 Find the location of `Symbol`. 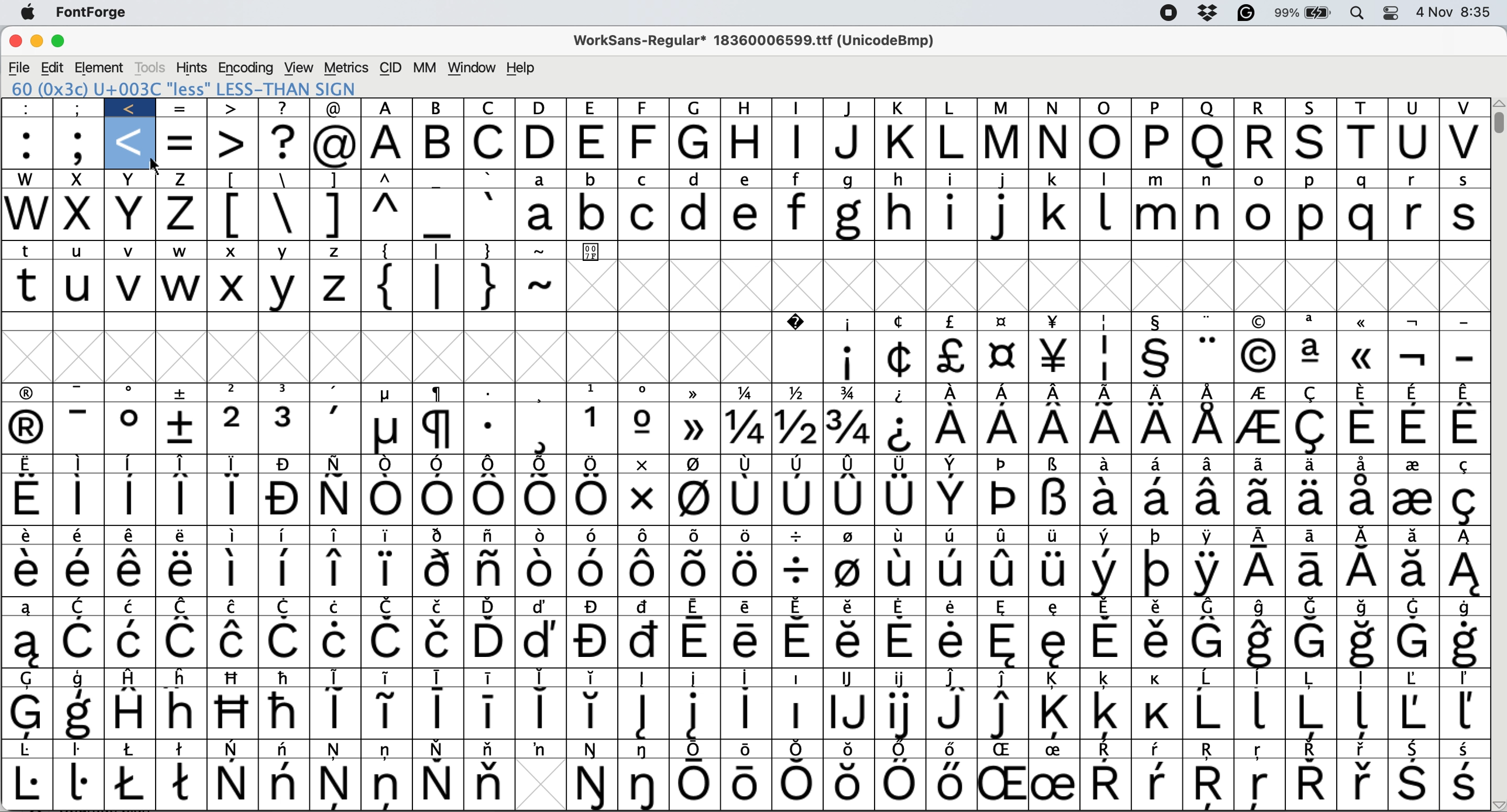

Symbol is located at coordinates (797, 321).